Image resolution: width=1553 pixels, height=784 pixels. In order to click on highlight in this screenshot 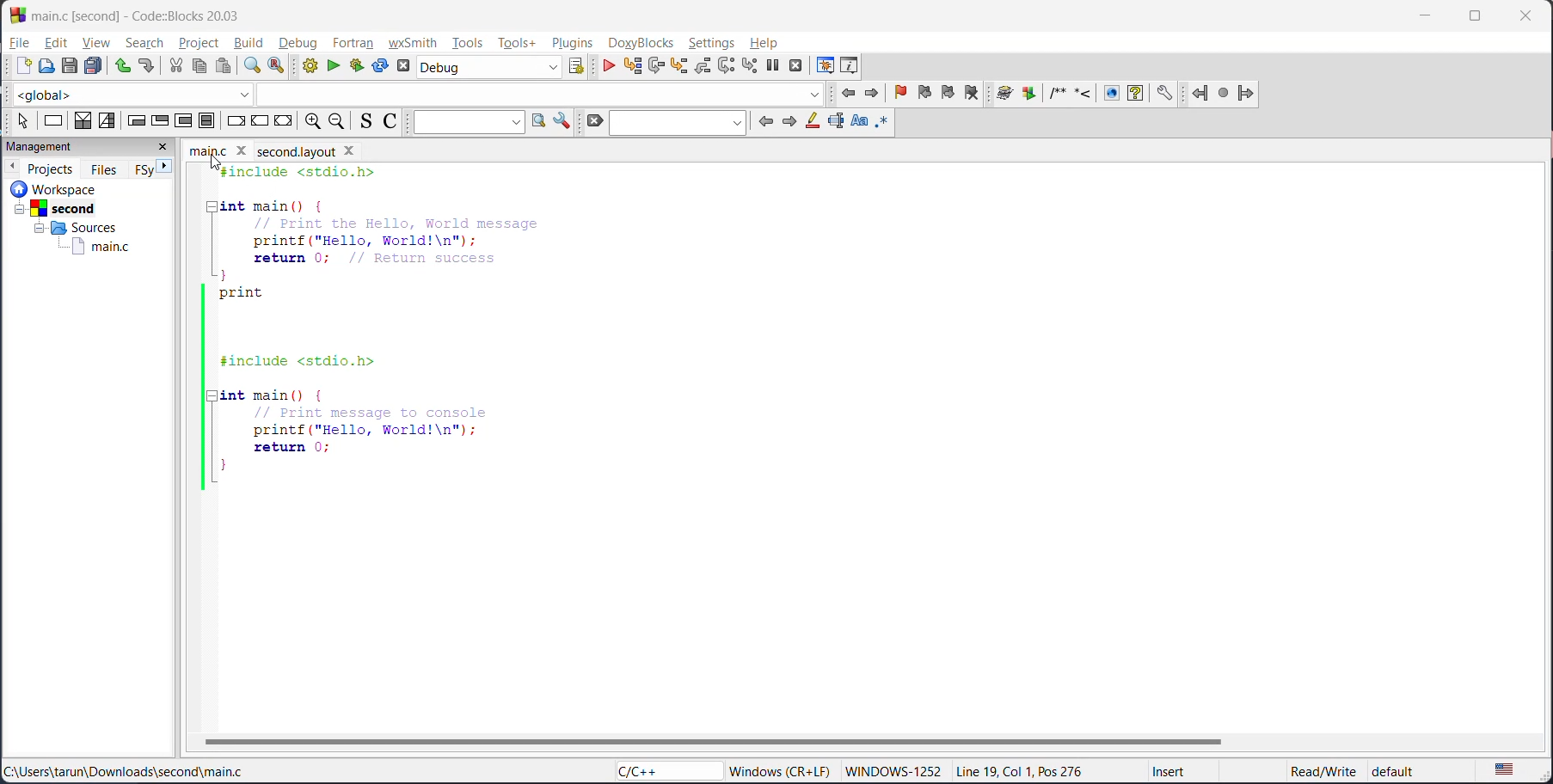, I will do `click(812, 123)`.